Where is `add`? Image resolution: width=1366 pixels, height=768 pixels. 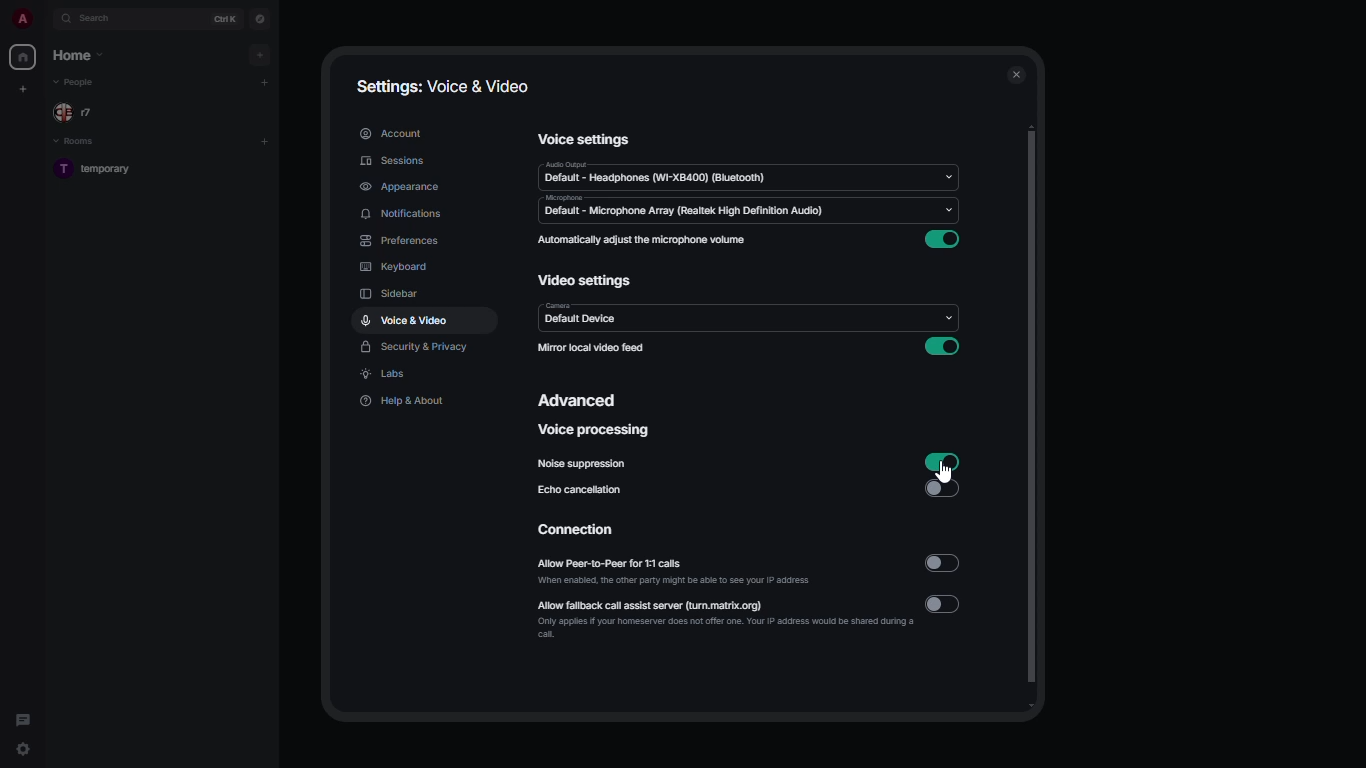
add is located at coordinates (267, 139).